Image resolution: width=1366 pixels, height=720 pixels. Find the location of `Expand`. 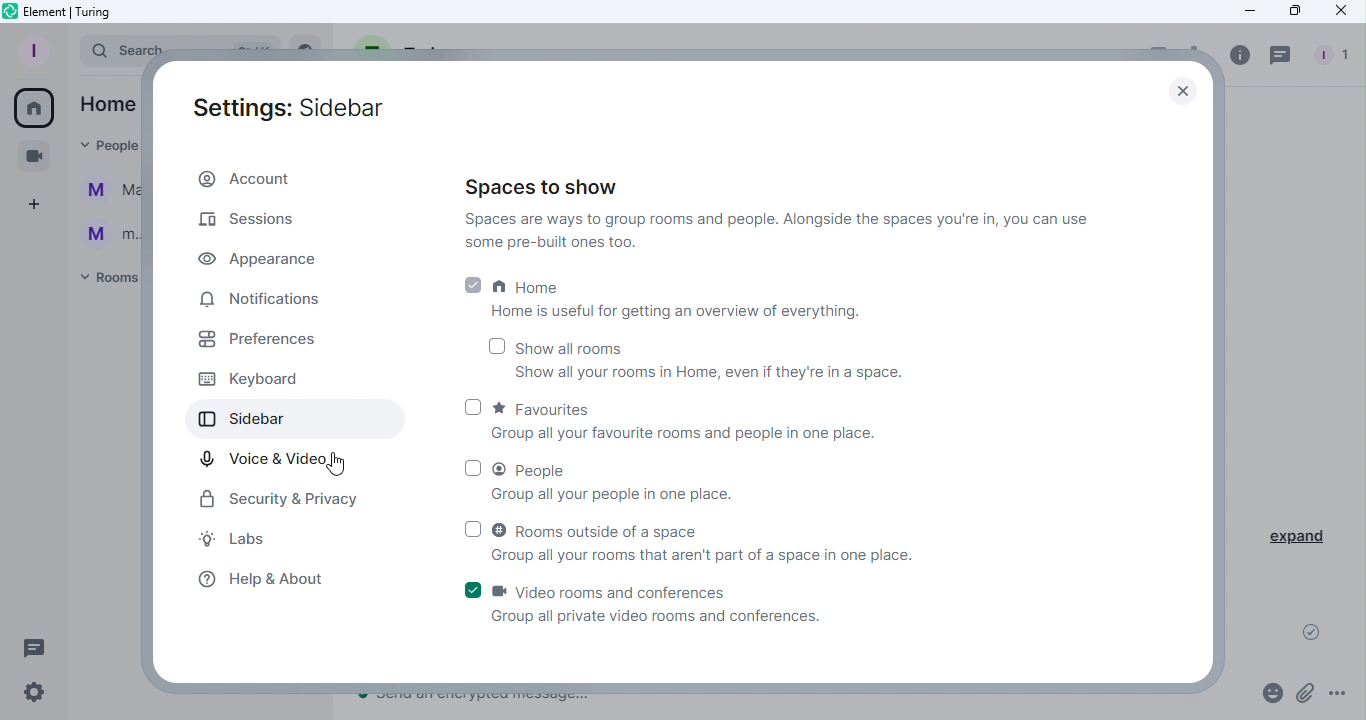

Expand is located at coordinates (1294, 537).